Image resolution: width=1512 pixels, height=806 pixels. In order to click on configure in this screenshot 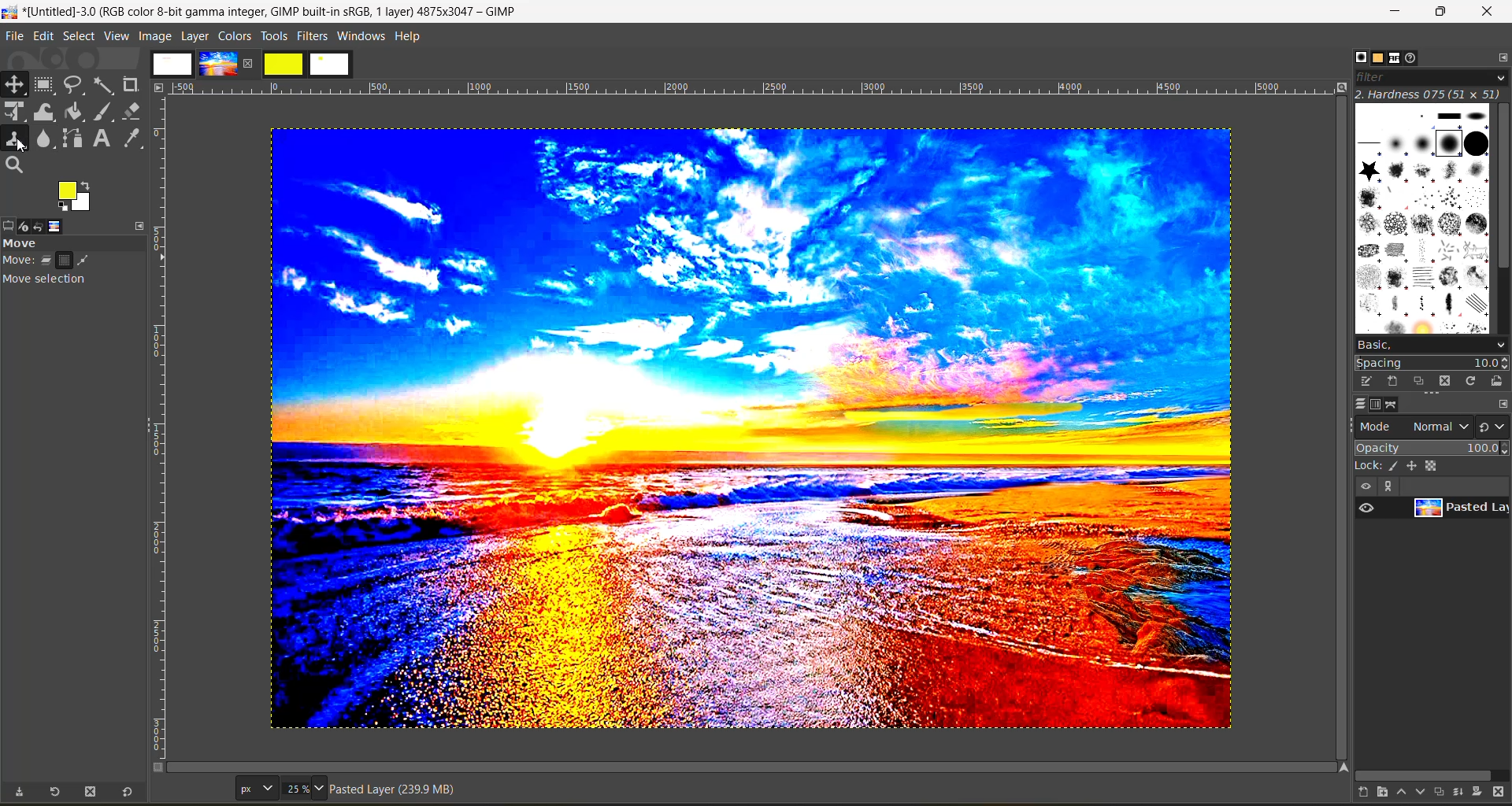, I will do `click(1503, 403)`.